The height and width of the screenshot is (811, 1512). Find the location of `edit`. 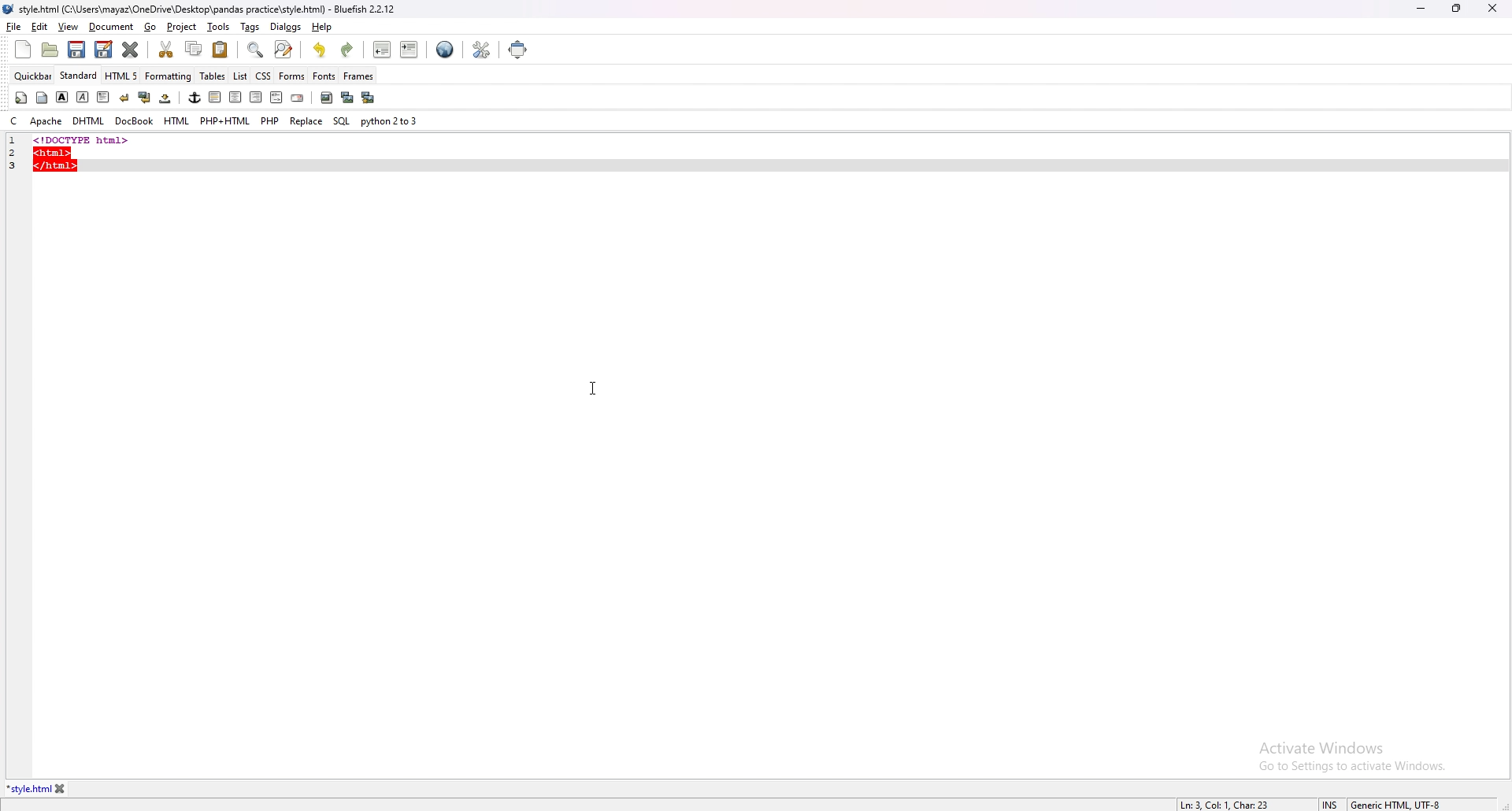

edit is located at coordinates (40, 27).